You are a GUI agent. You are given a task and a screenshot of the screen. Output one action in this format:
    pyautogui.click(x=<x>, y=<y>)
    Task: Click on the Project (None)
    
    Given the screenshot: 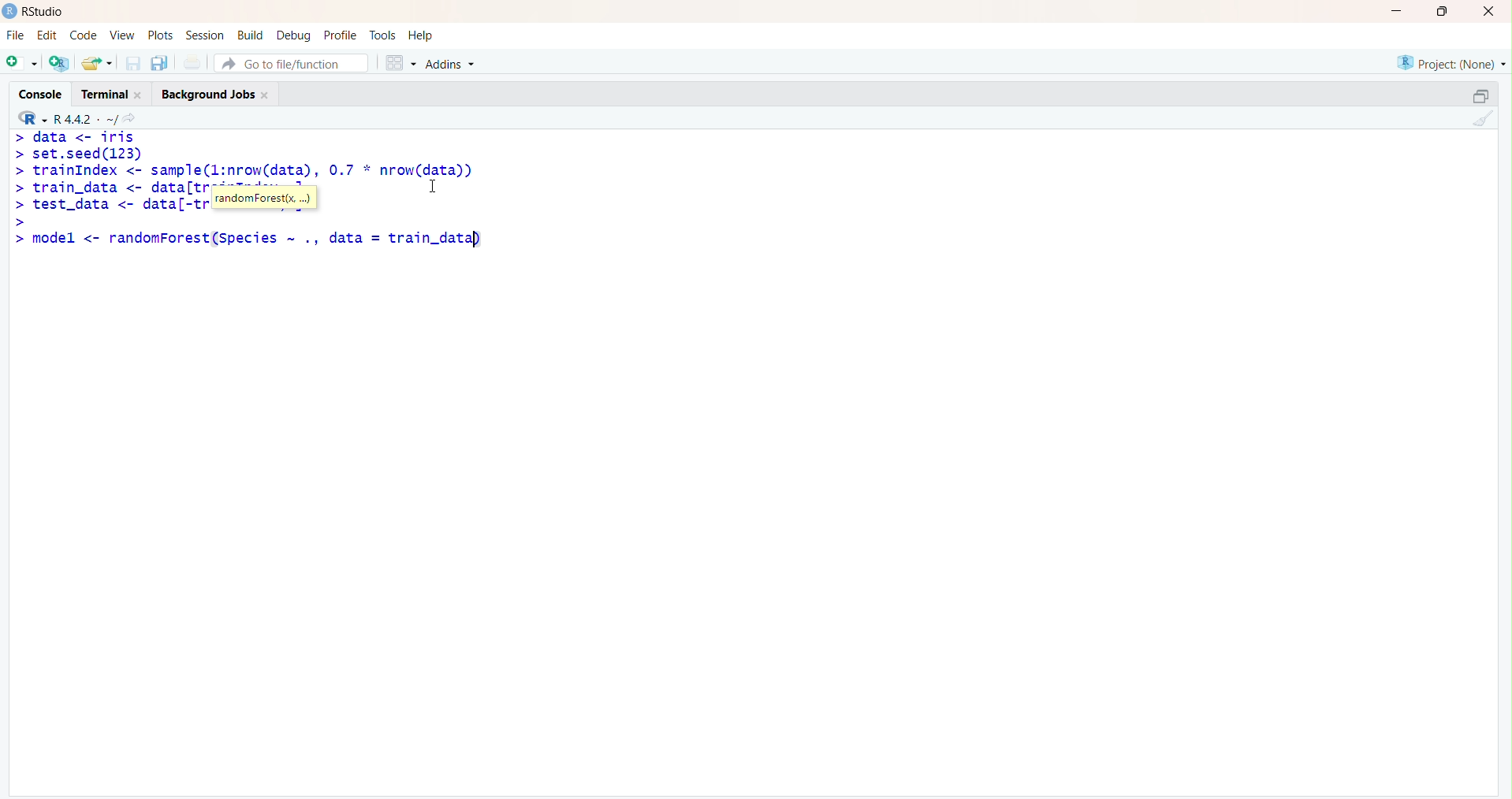 What is the action you would take?
    pyautogui.click(x=1450, y=62)
    